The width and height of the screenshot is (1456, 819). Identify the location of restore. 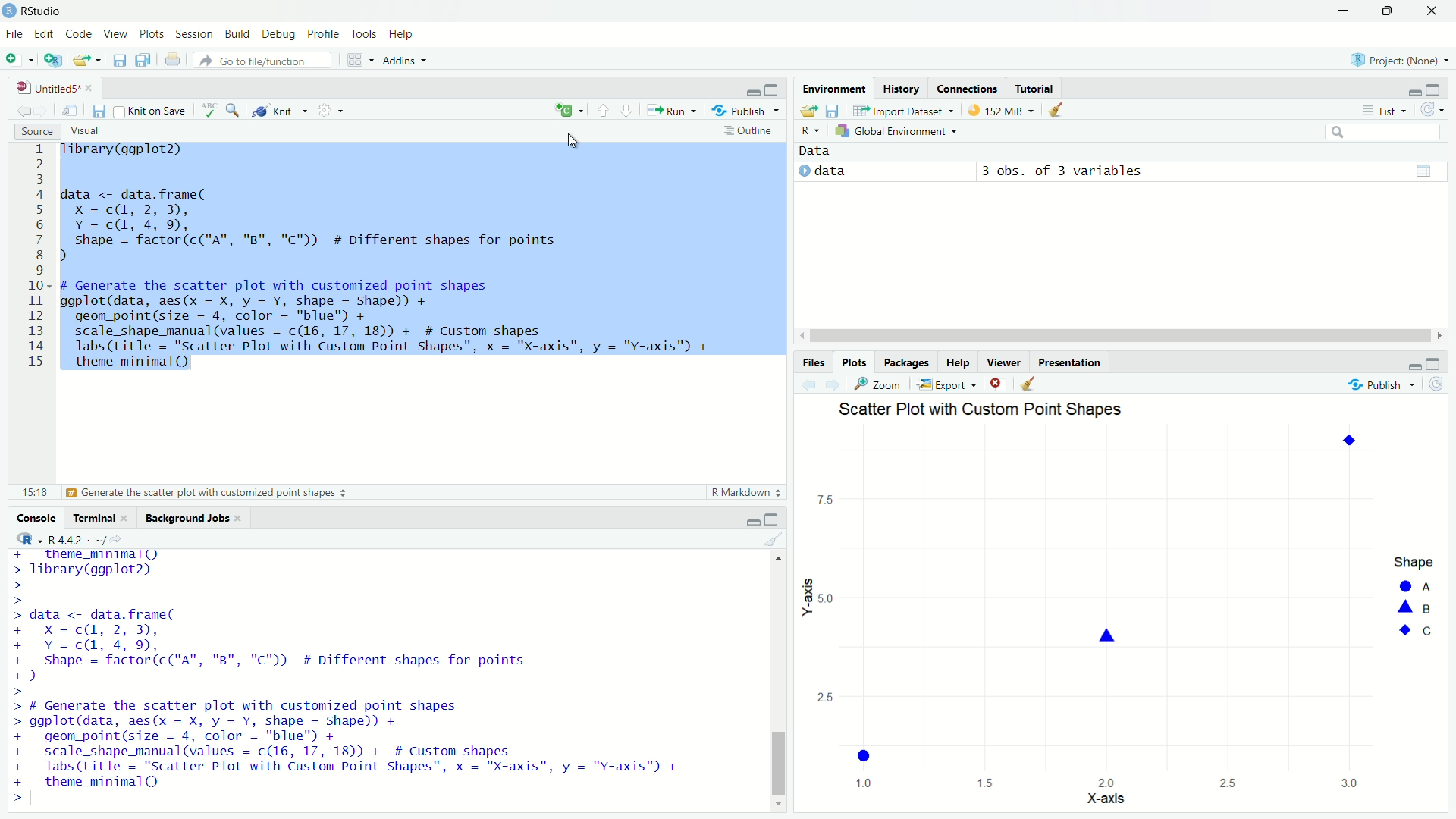
(1389, 11).